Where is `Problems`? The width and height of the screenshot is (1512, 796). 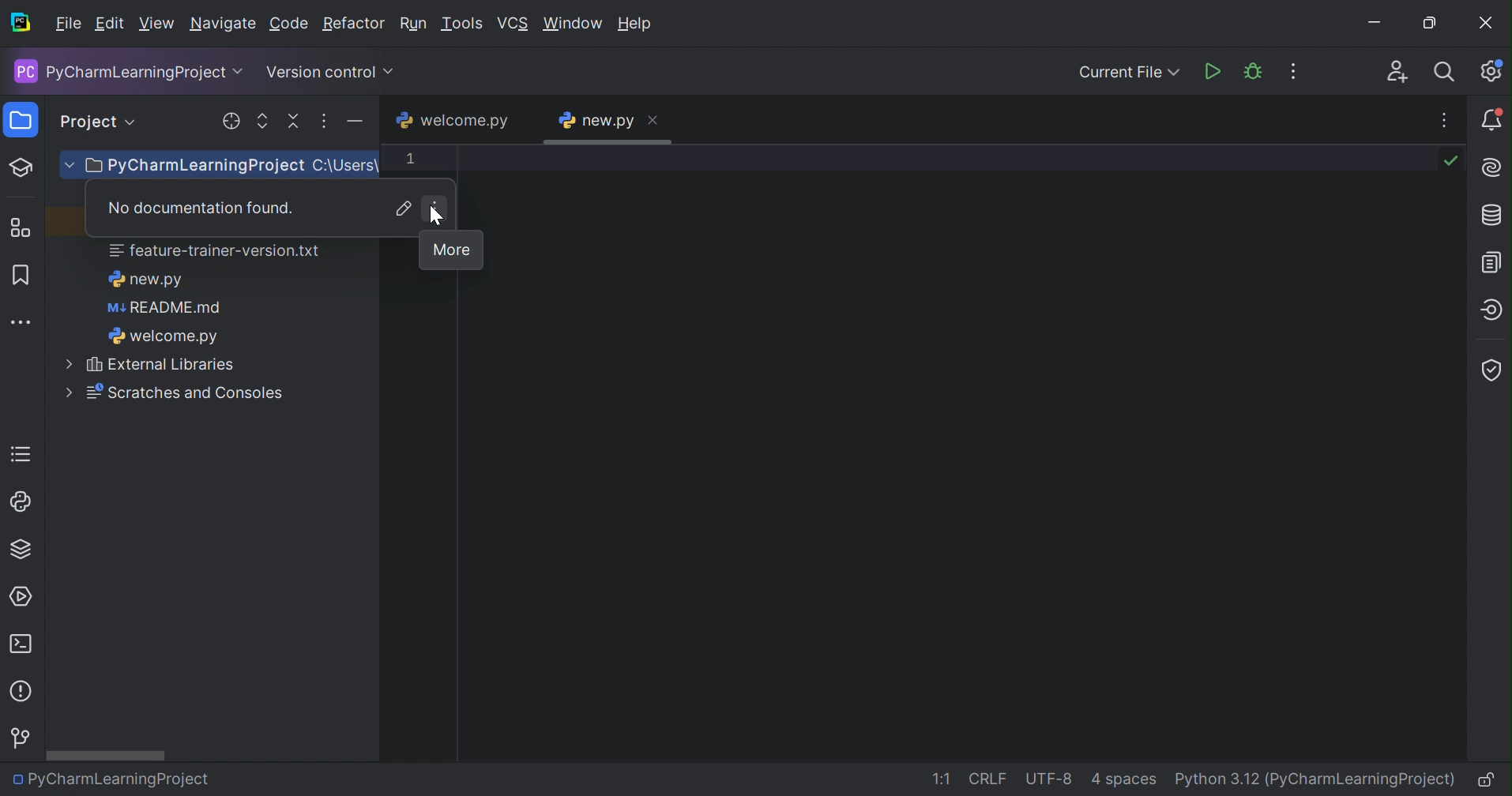
Problems is located at coordinates (23, 694).